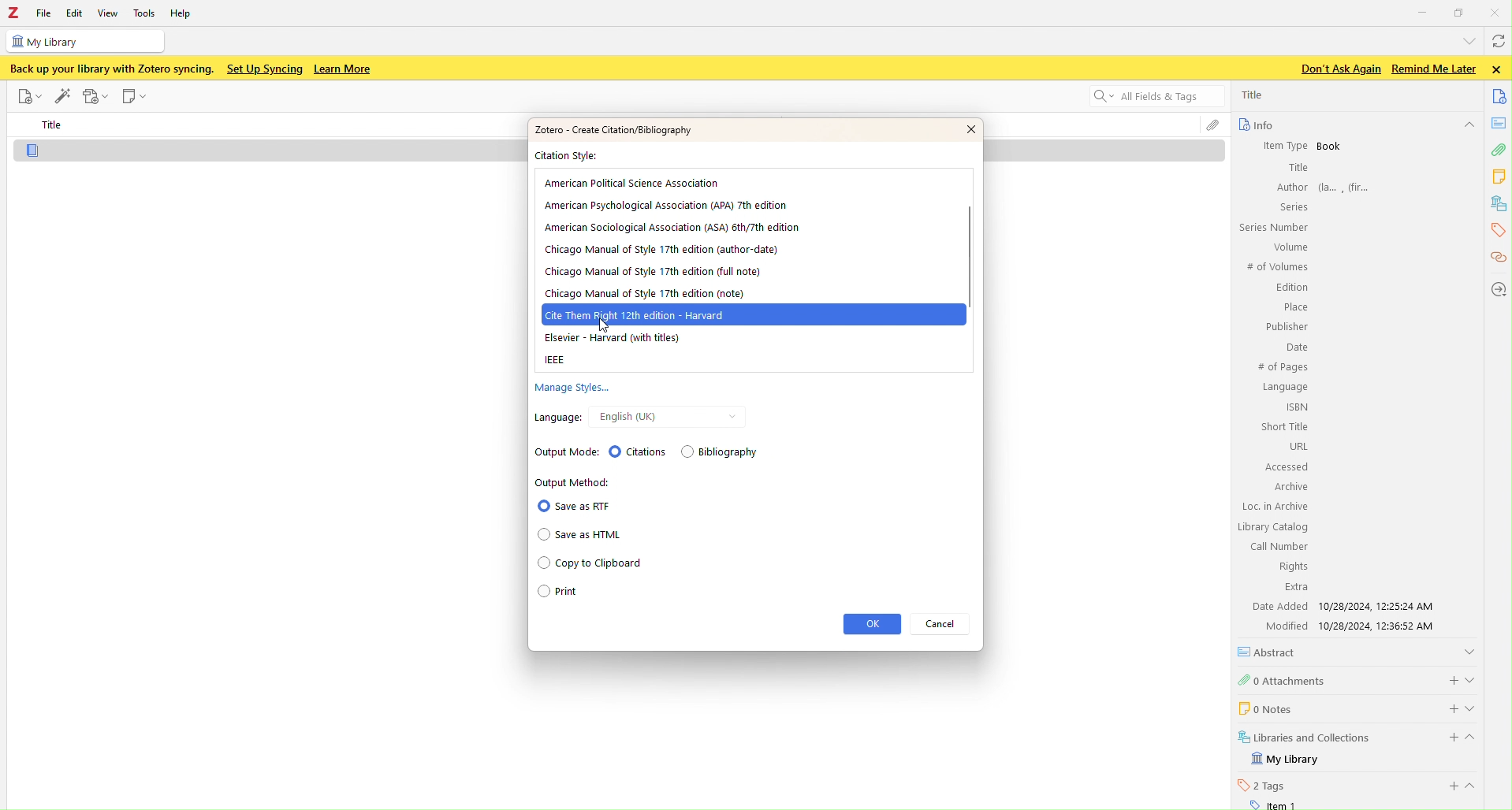  What do you see at coordinates (723, 453) in the screenshot?
I see `() Bibliography` at bounding box center [723, 453].